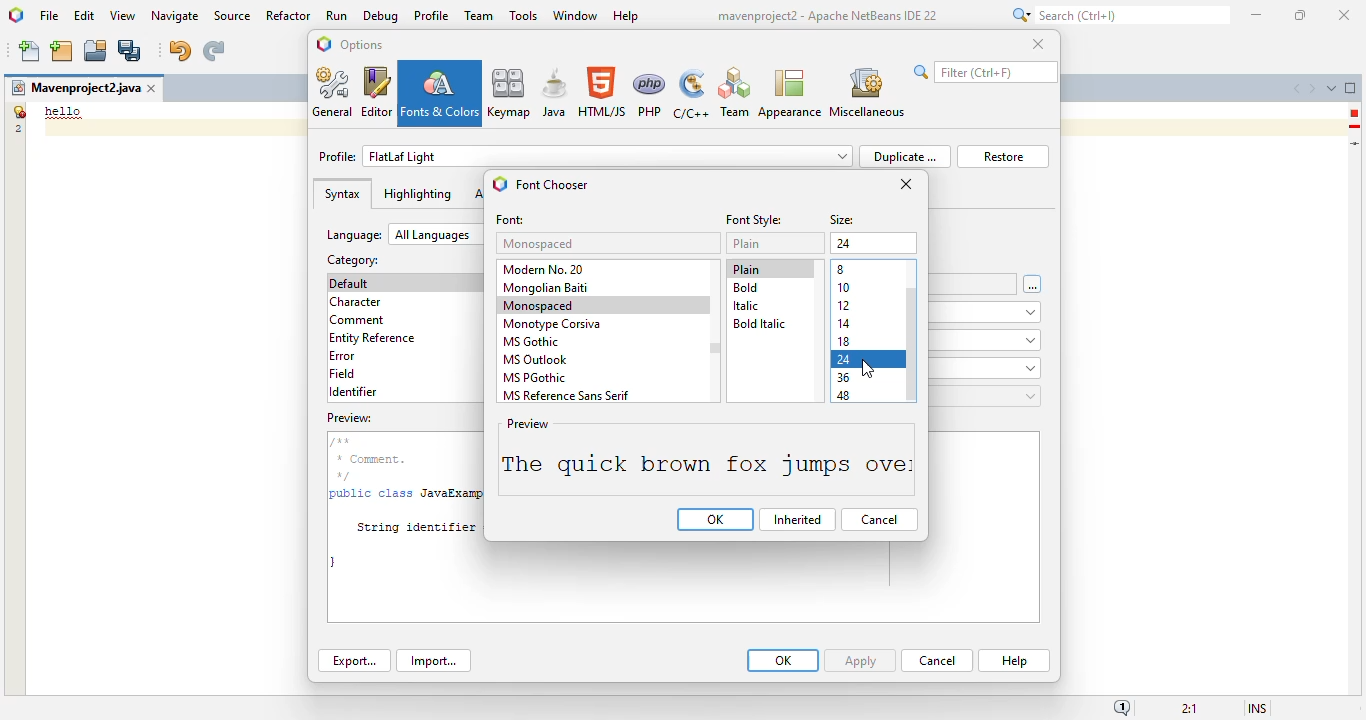 The width and height of the screenshot is (1366, 720). Describe the element at coordinates (377, 92) in the screenshot. I see `editor` at that location.